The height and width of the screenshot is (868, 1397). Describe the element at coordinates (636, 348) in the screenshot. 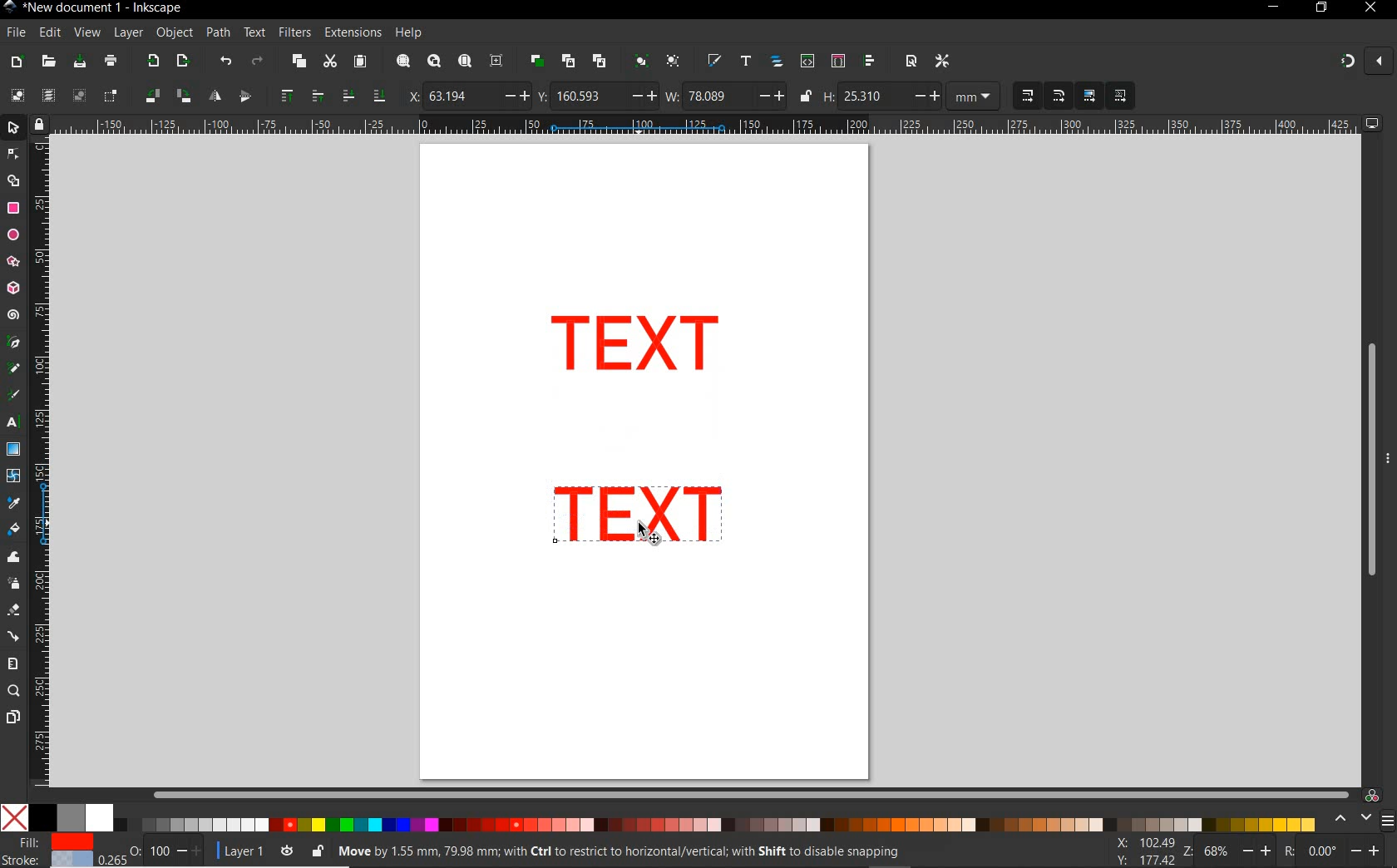

I see `duplicate created` at that location.